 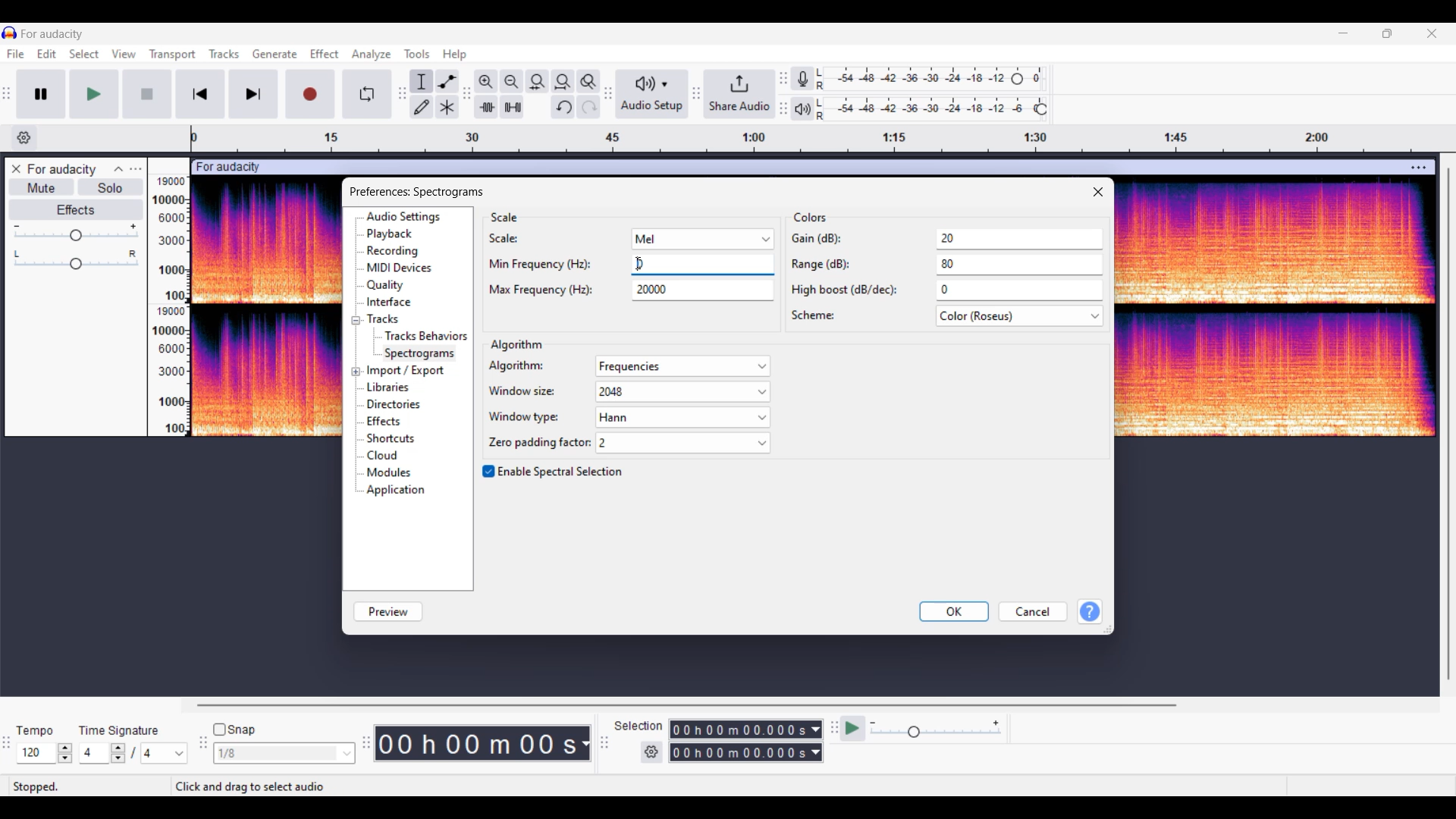 I want to click on Tracks menu, so click(x=224, y=54).